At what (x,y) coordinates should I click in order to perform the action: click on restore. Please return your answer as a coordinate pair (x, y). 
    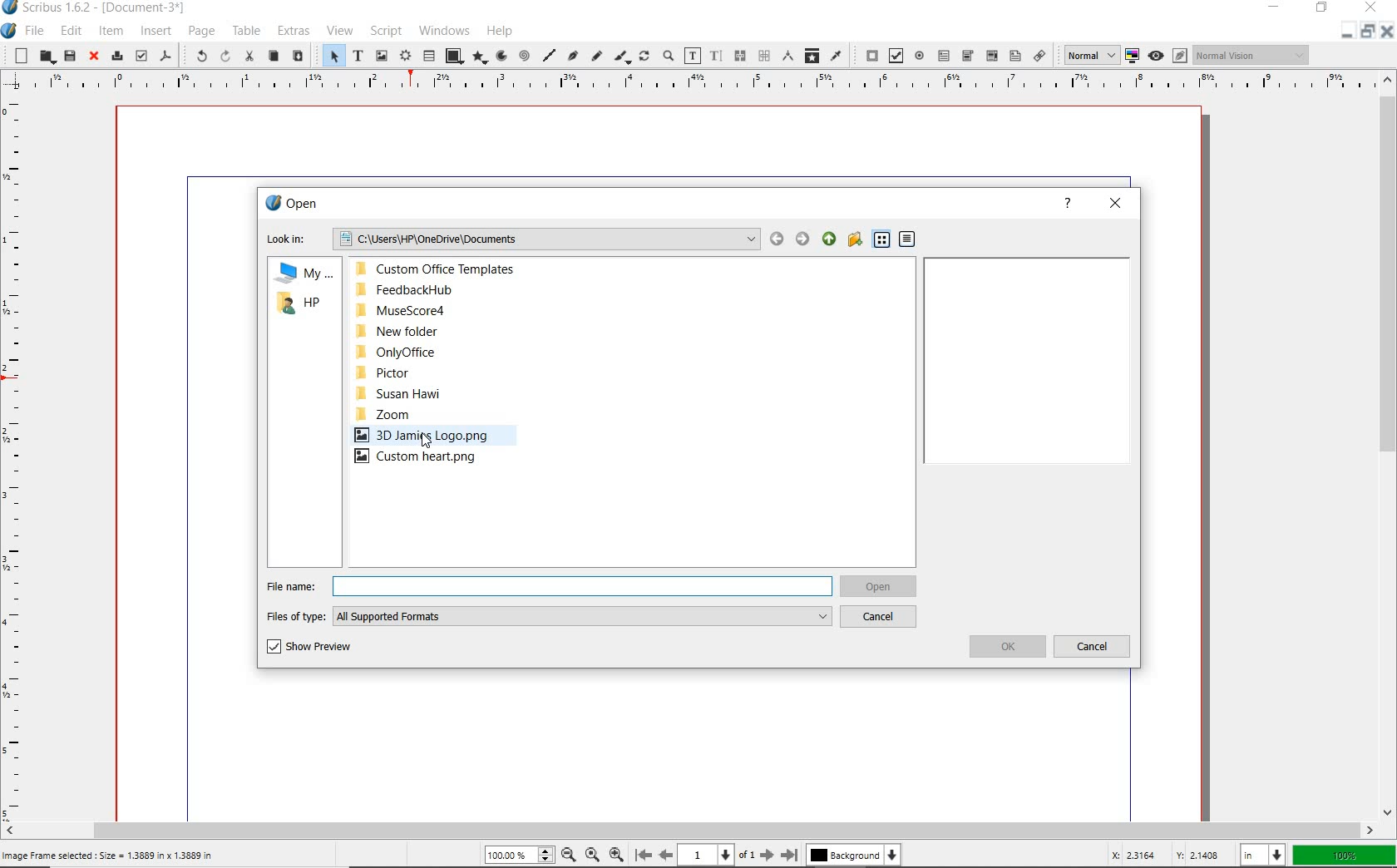
    Looking at the image, I should click on (1366, 35).